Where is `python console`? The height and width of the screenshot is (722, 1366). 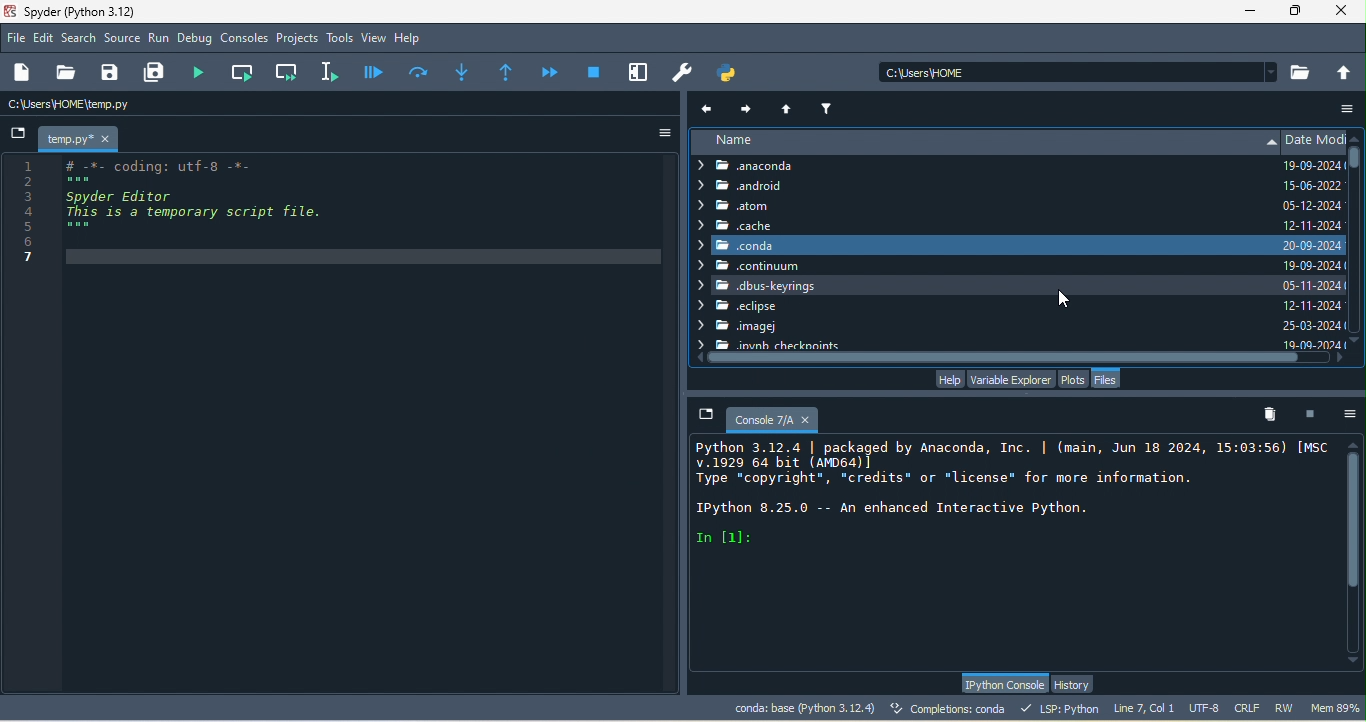 python console is located at coordinates (1003, 684).